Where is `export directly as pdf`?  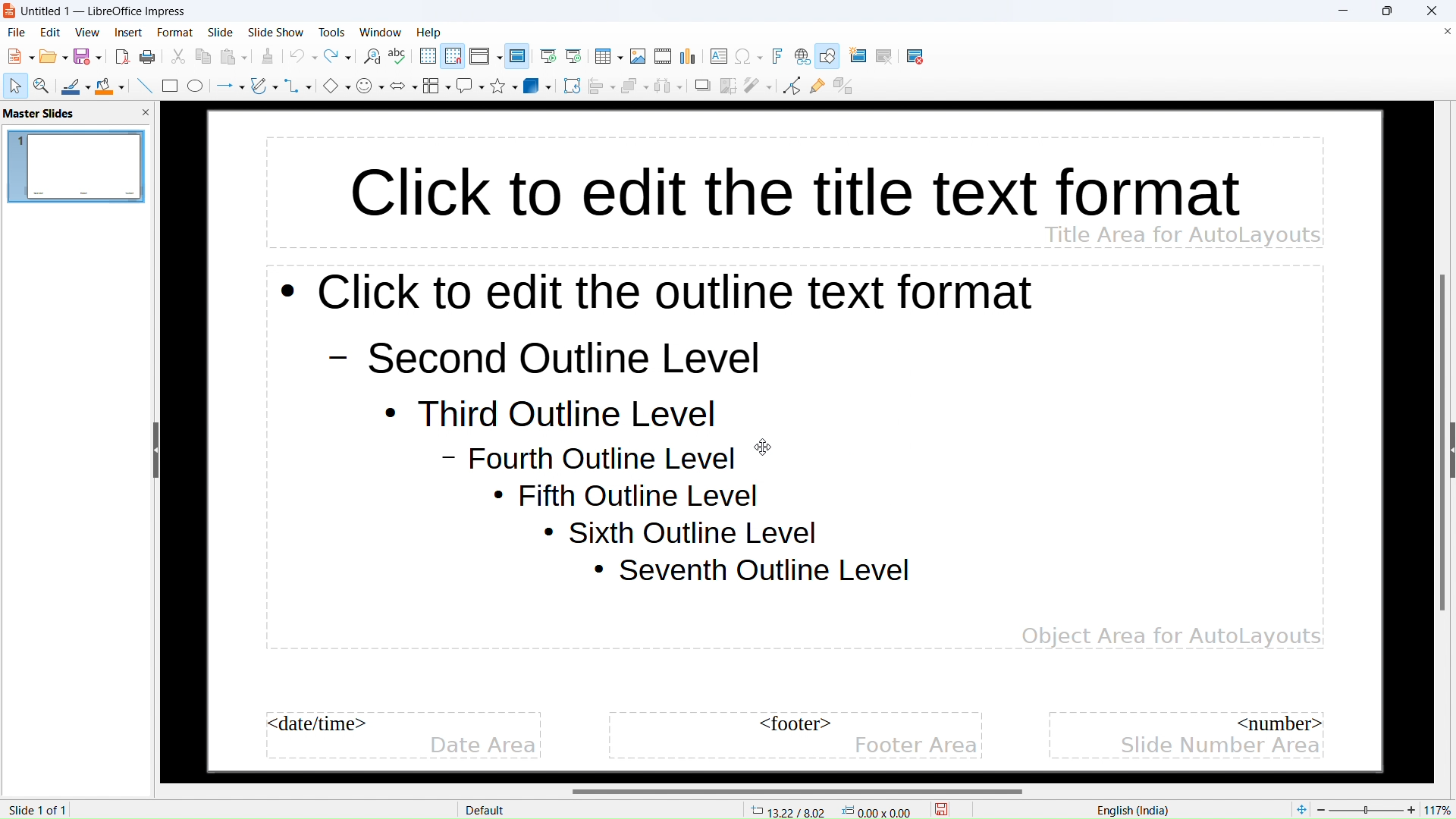
export directly as pdf is located at coordinates (123, 58).